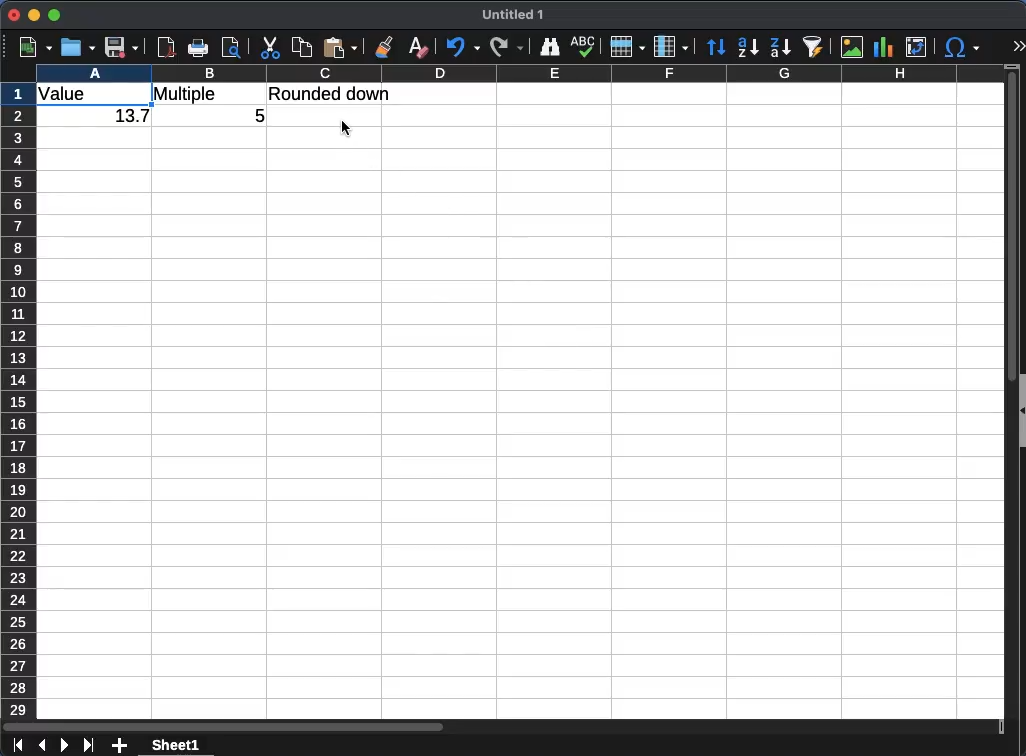  Describe the element at coordinates (716, 48) in the screenshot. I see `sort` at that location.